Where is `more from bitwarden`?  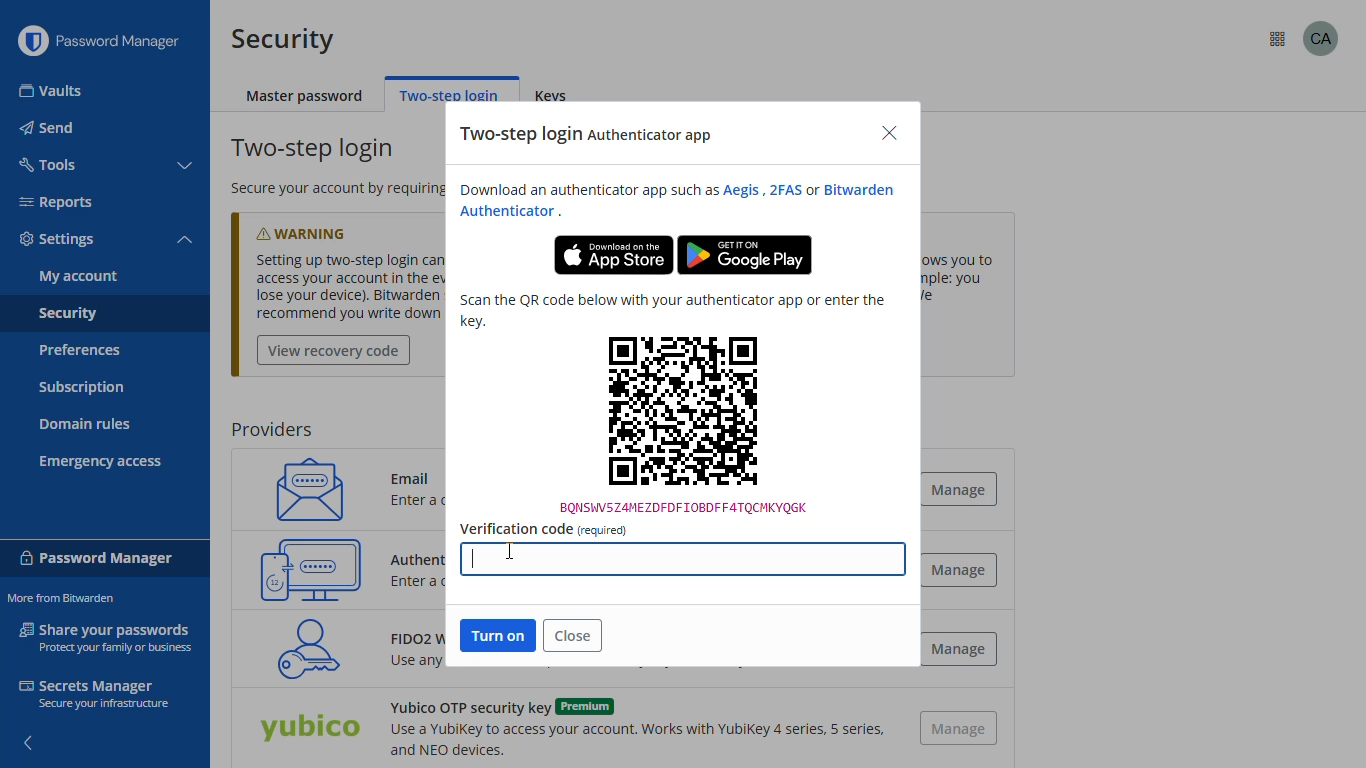
more from bitwarden is located at coordinates (1278, 40).